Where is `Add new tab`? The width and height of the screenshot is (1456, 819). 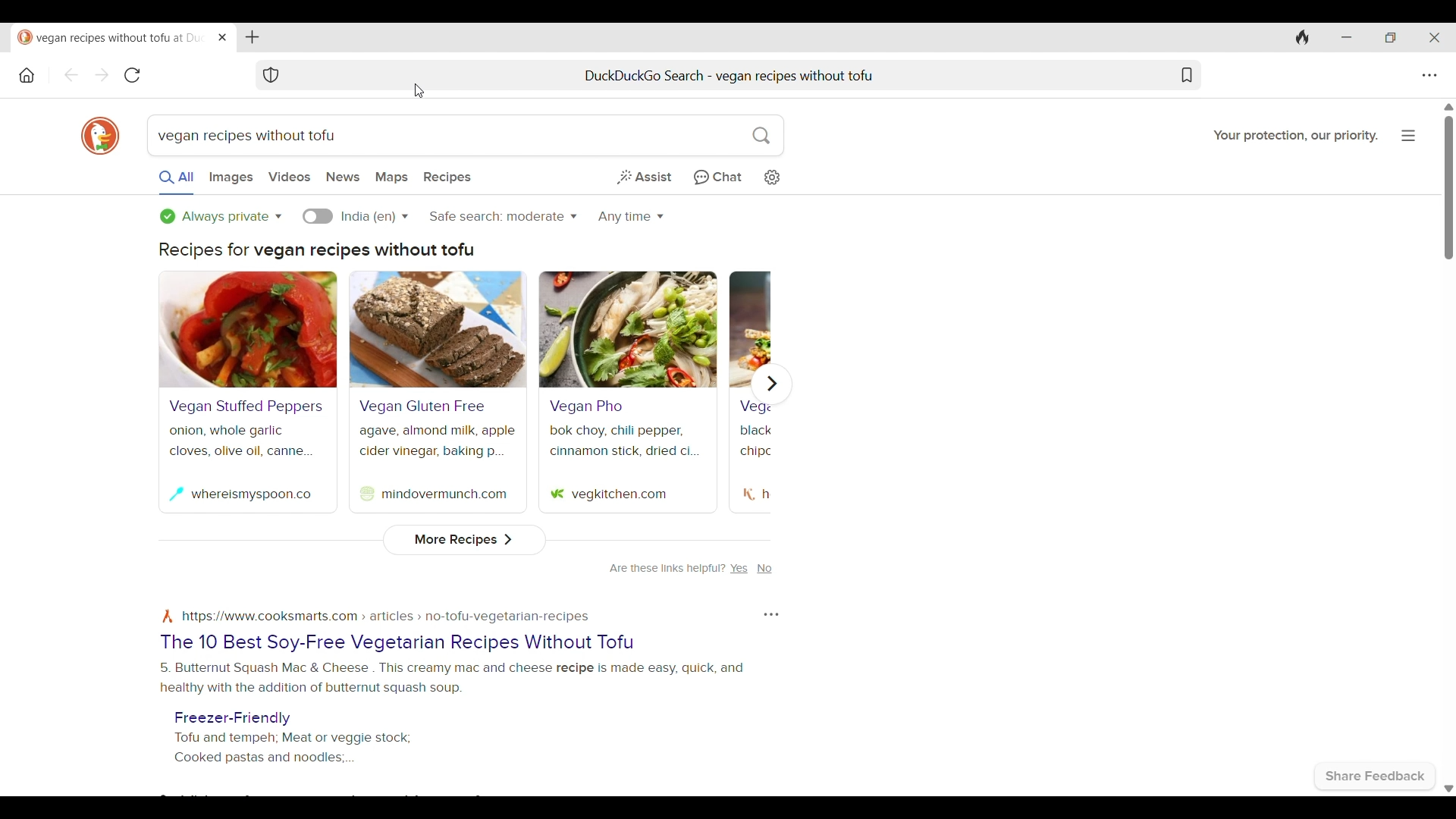 Add new tab is located at coordinates (253, 37).